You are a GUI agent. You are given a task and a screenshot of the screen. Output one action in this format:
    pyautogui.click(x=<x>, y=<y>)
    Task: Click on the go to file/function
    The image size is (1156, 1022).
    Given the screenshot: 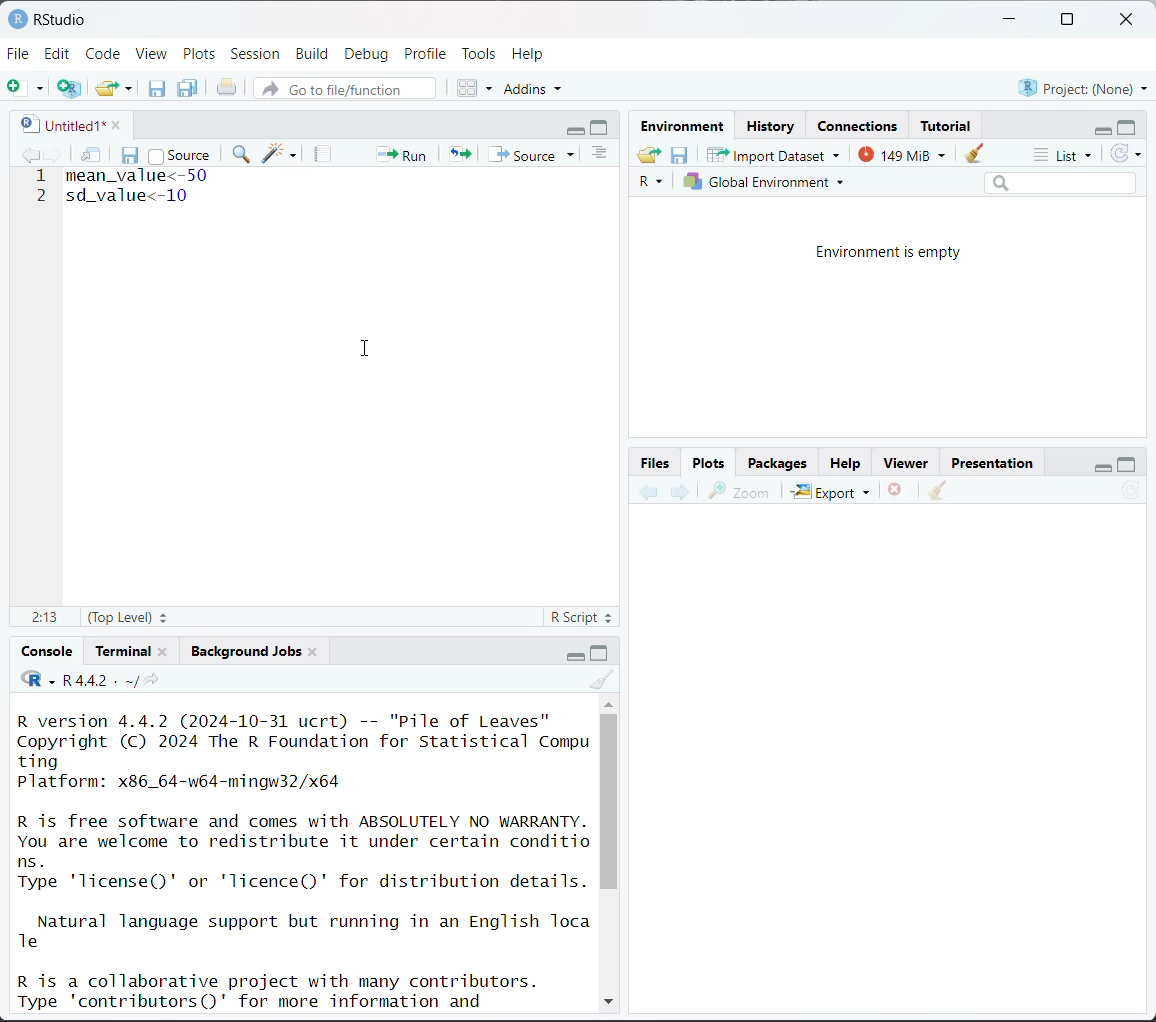 What is the action you would take?
    pyautogui.click(x=343, y=90)
    